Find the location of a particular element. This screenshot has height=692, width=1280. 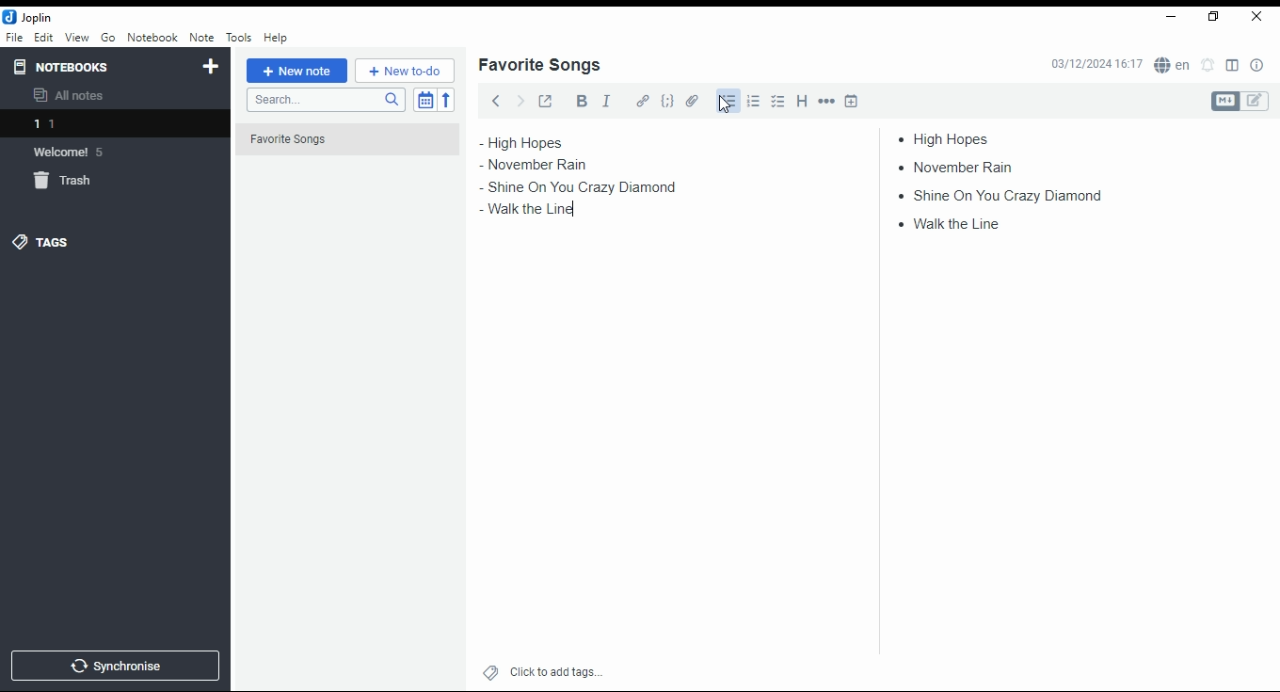

shine on you crazy diamond is located at coordinates (998, 194).